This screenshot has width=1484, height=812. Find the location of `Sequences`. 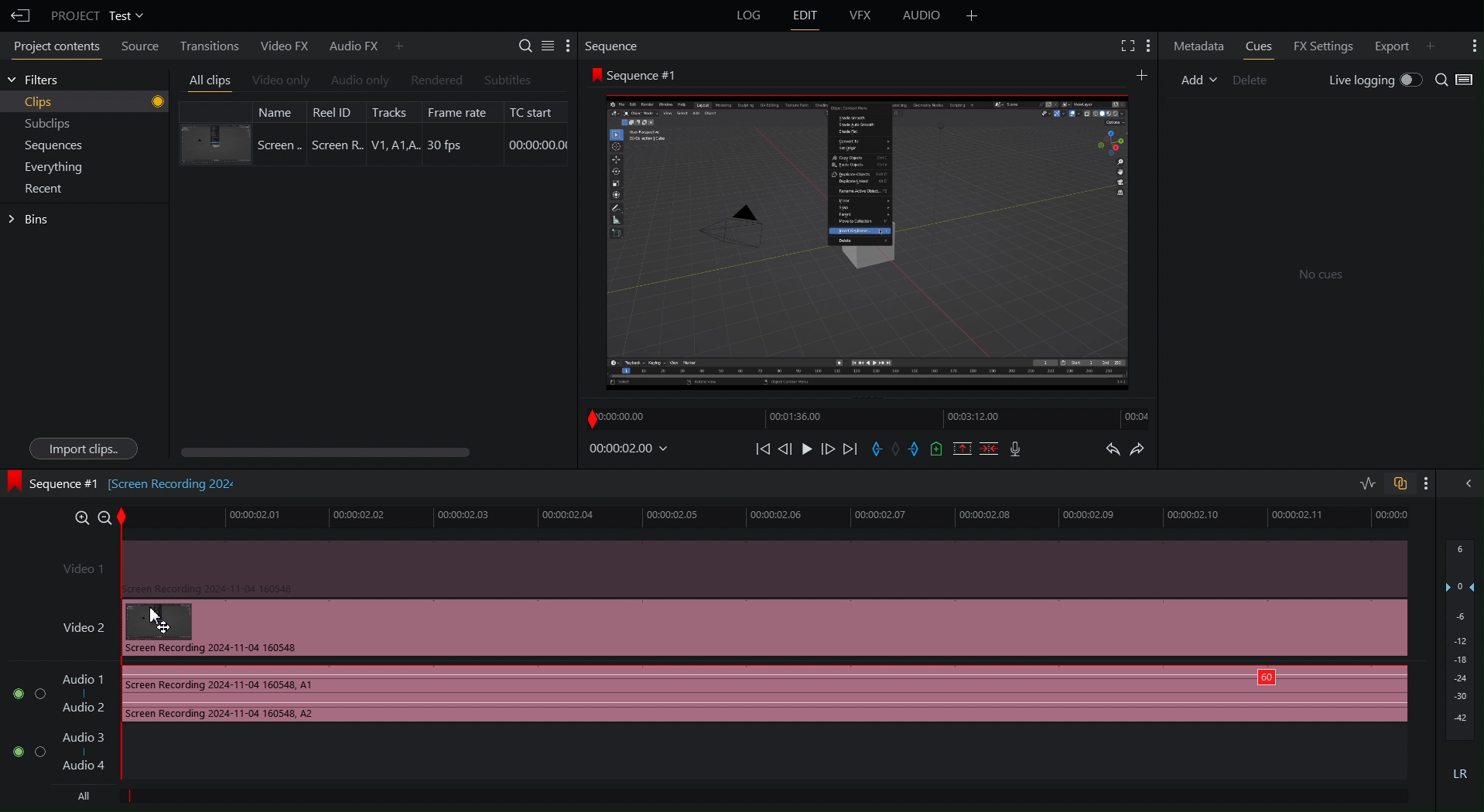

Sequences is located at coordinates (46, 146).